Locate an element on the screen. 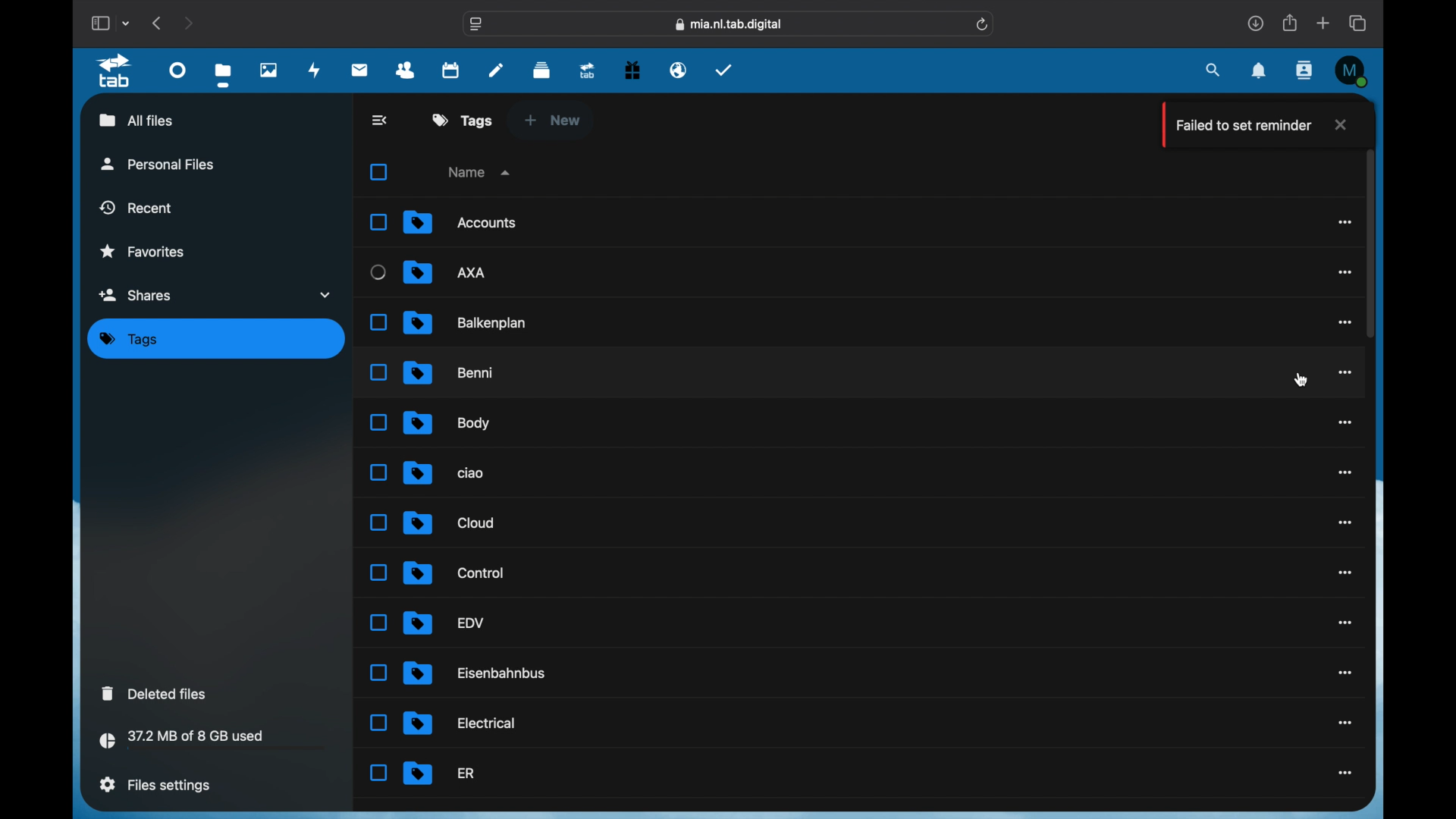 Image resolution: width=1456 pixels, height=819 pixels. M is located at coordinates (1353, 71).